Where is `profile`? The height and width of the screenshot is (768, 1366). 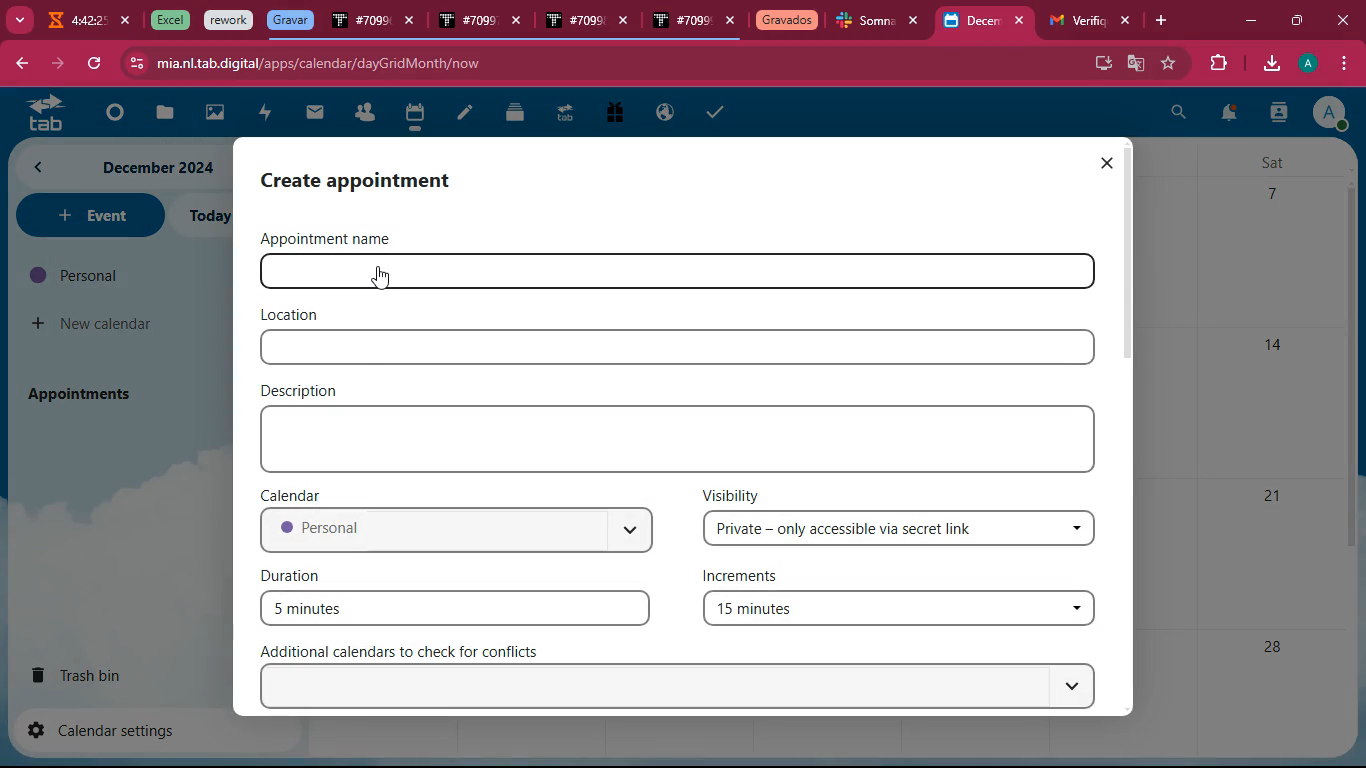 profile is located at coordinates (1311, 63).